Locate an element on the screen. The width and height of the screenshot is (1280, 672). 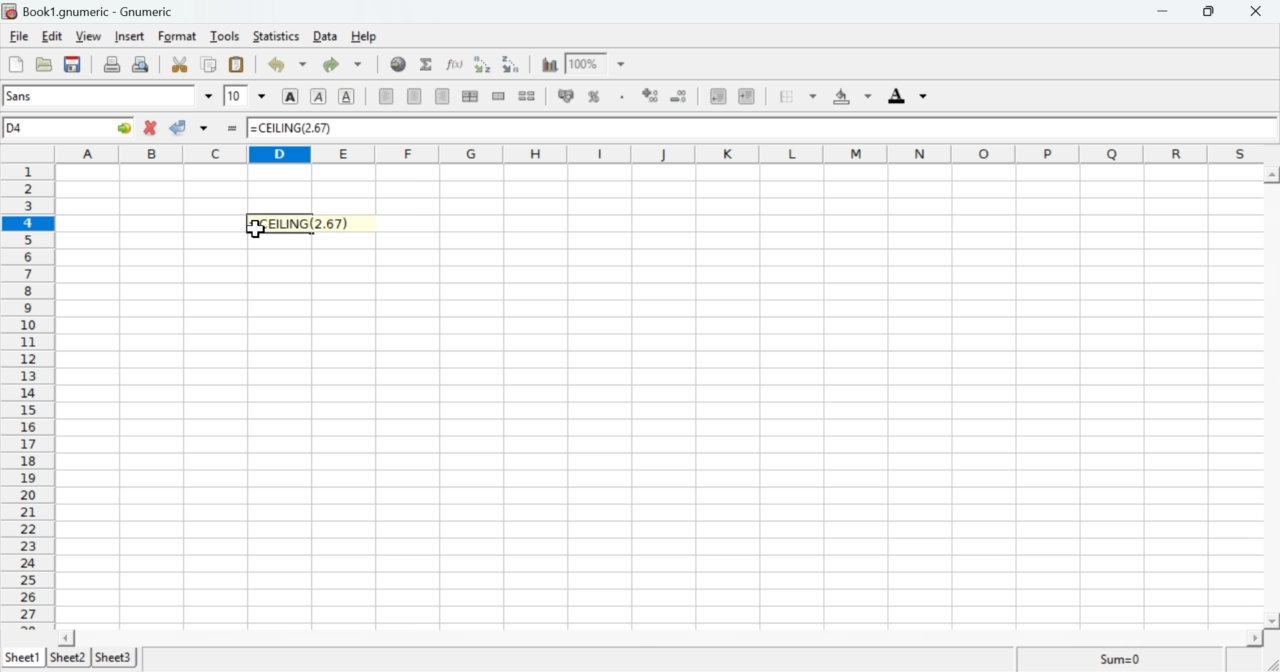
Center horizontally across selection is located at coordinates (471, 96).